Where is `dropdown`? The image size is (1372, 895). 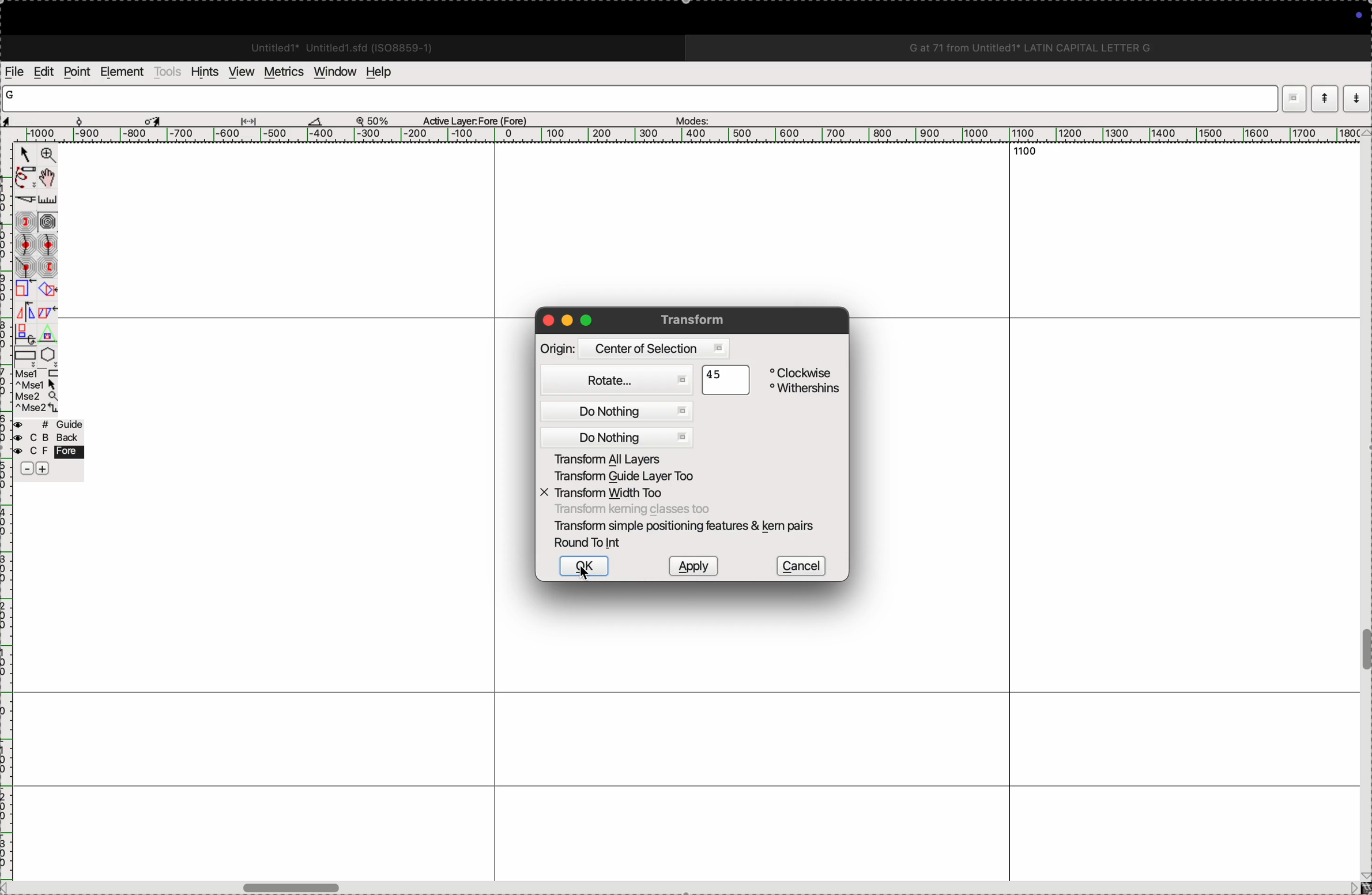 dropdown is located at coordinates (1294, 97).